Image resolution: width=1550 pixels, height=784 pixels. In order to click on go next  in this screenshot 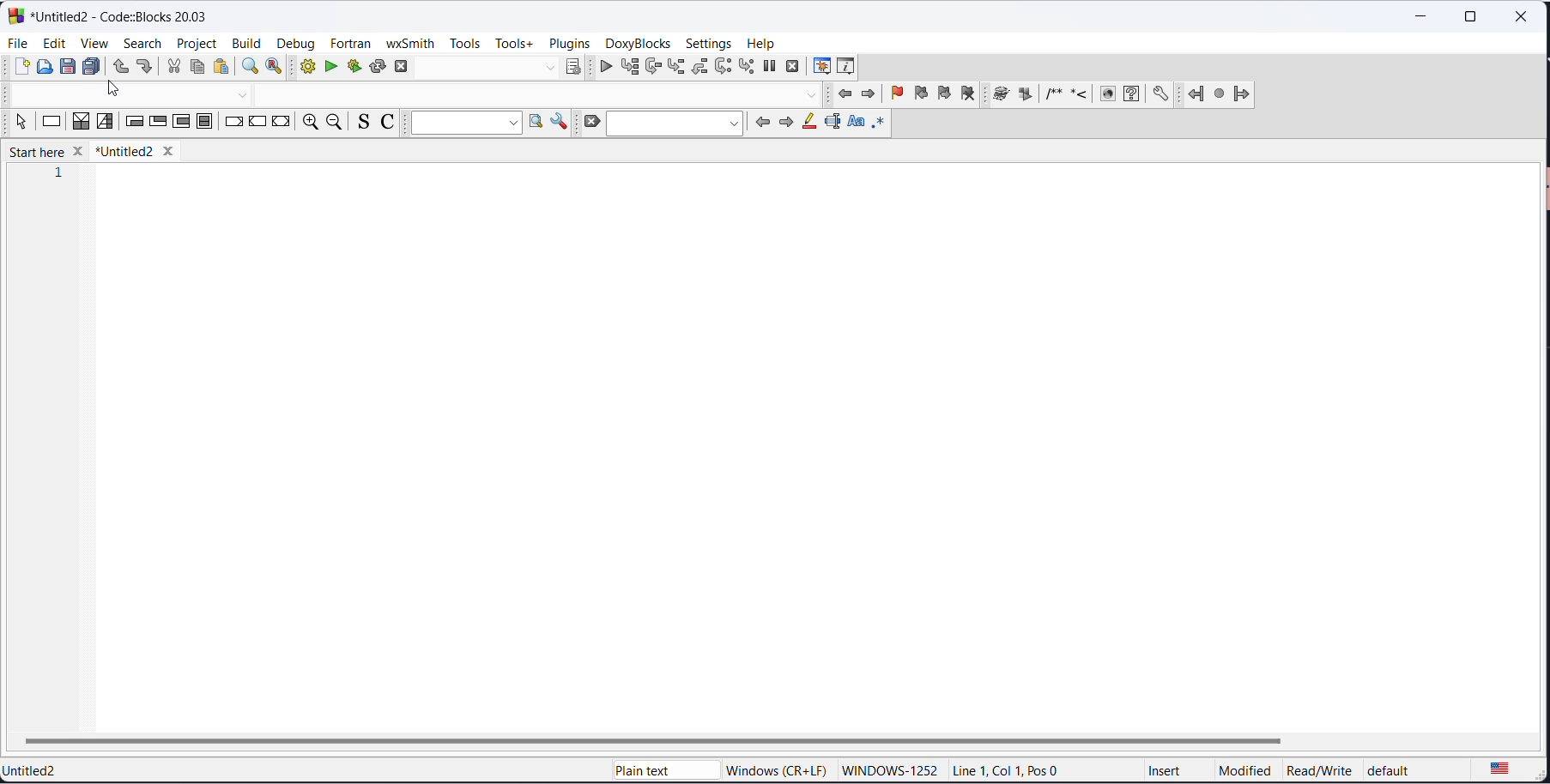, I will do `click(867, 95)`.